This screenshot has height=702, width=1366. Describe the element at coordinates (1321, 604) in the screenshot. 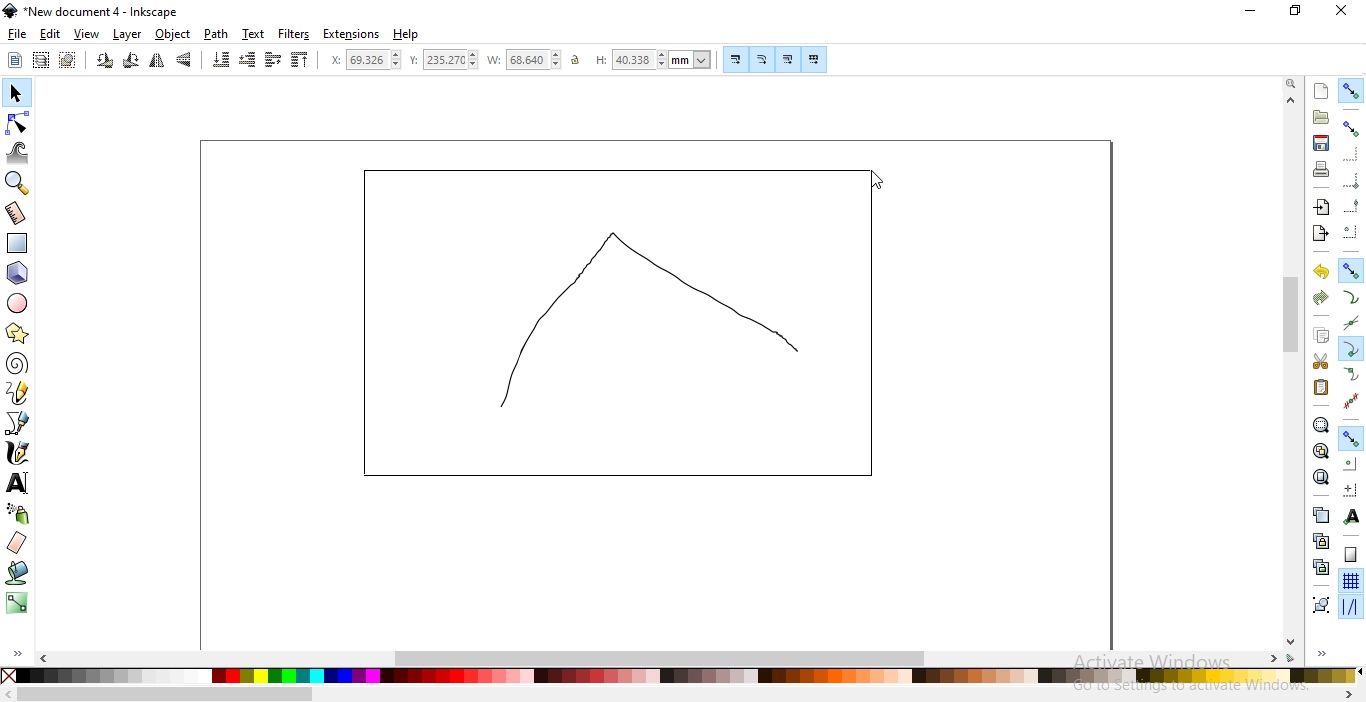

I see `group selected objects` at that location.